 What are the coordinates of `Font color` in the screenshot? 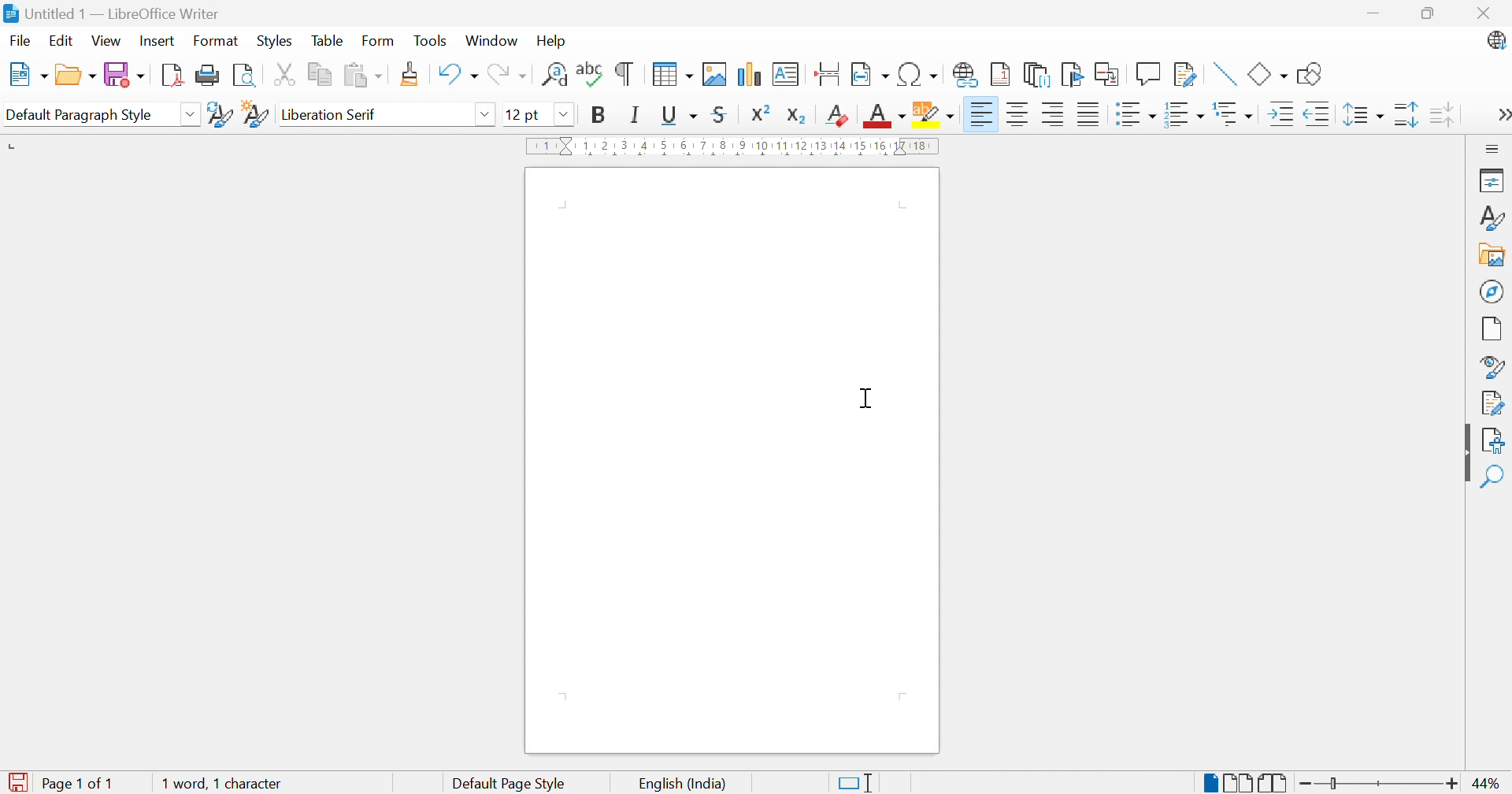 It's located at (884, 116).